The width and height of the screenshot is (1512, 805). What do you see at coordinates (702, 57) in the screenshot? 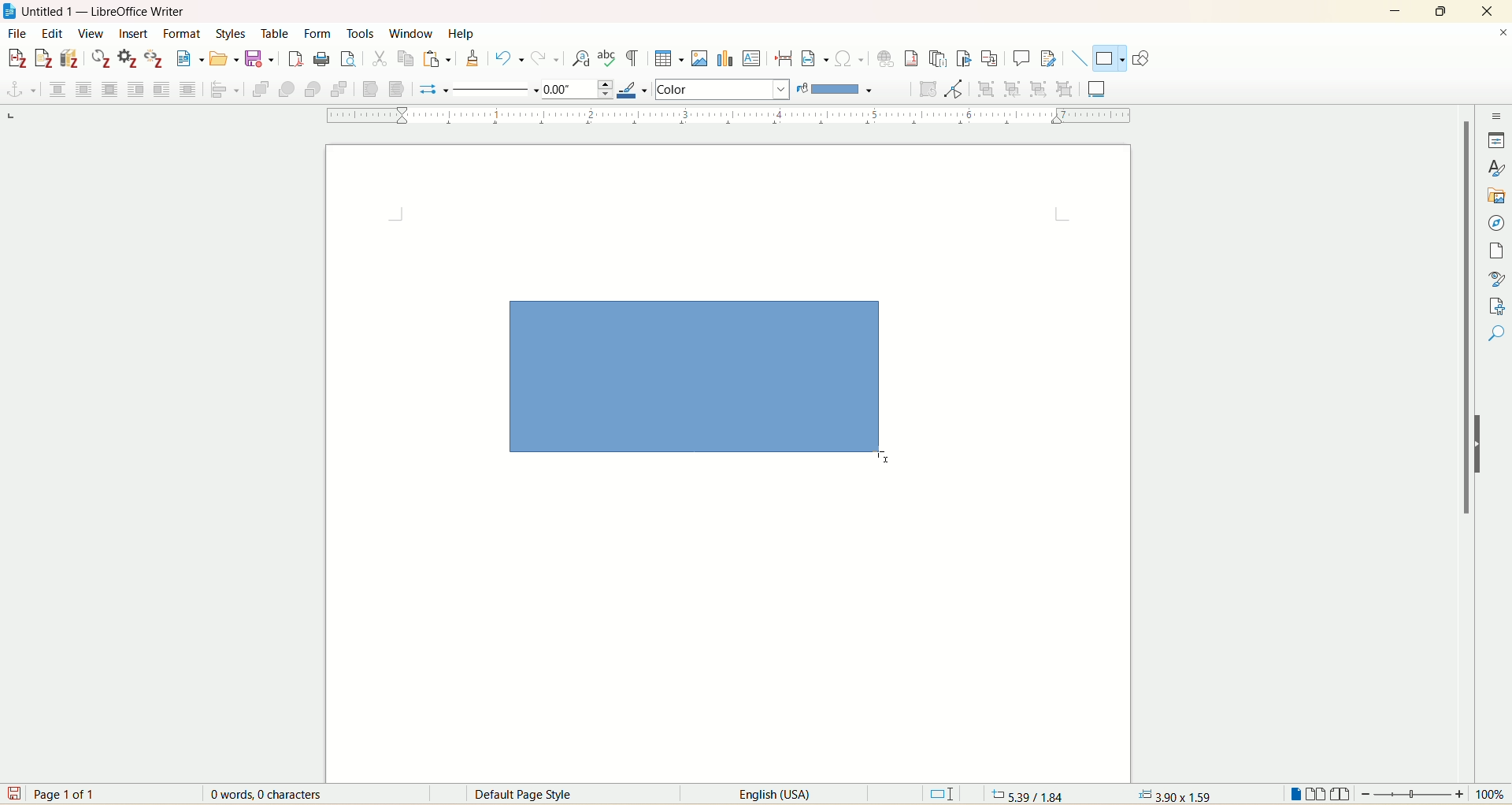
I see `insert image` at bounding box center [702, 57].